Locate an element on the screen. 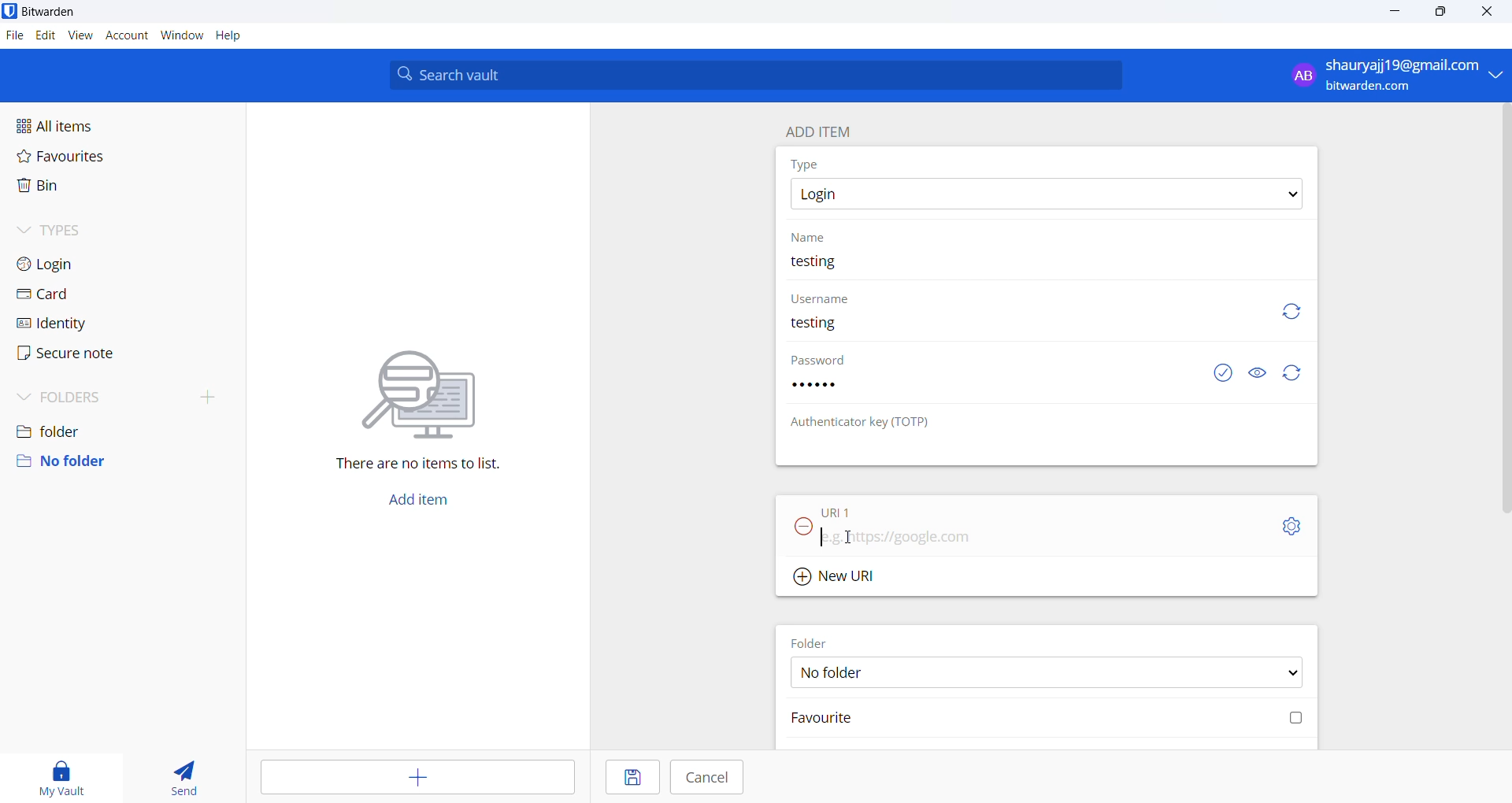 This screenshot has width=1512, height=803. help is located at coordinates (231, 37).